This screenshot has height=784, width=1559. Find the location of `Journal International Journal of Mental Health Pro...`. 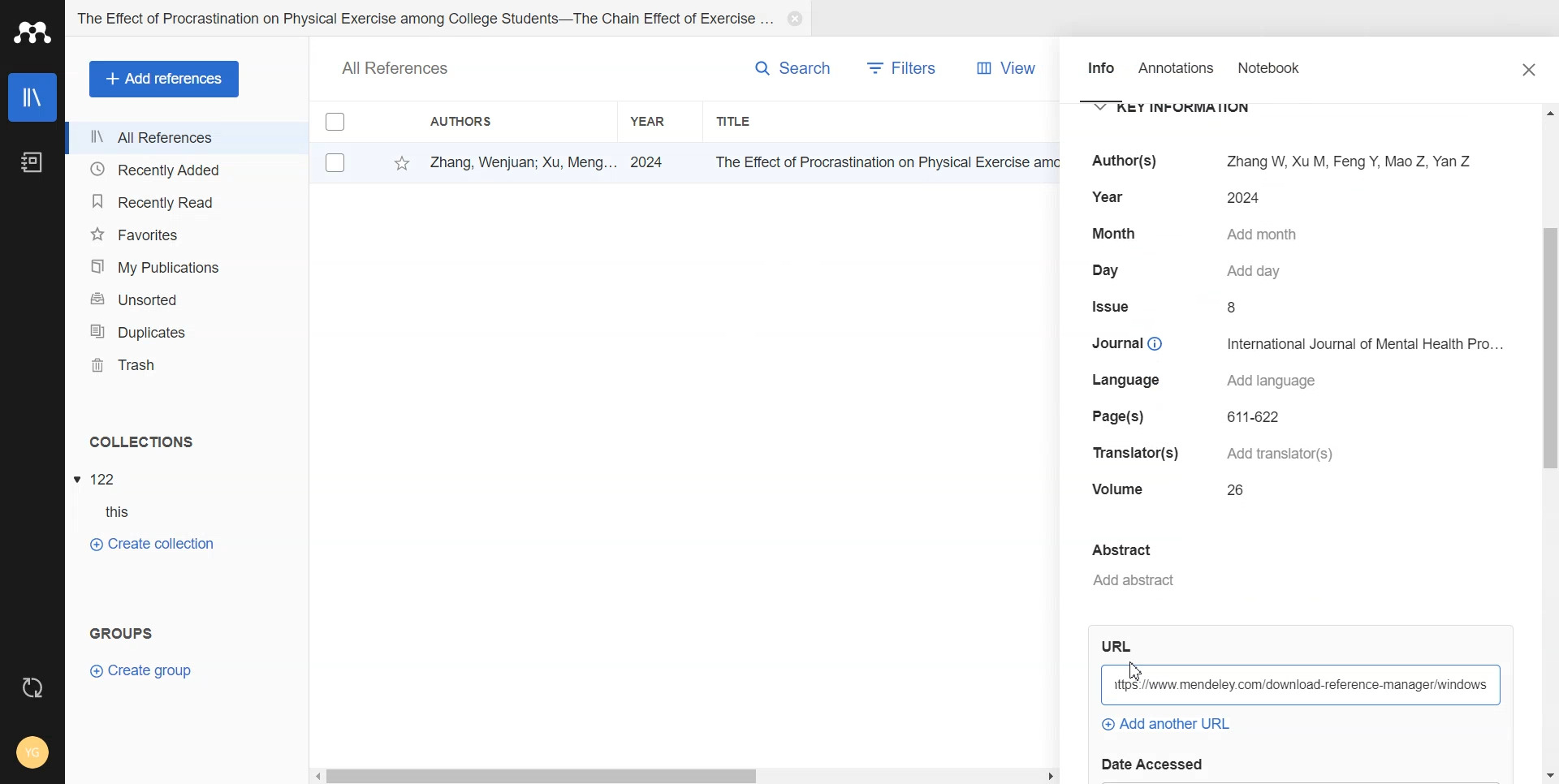

Journal International Journal of Mental Health Pro... is located at coordinates (1296, 342).